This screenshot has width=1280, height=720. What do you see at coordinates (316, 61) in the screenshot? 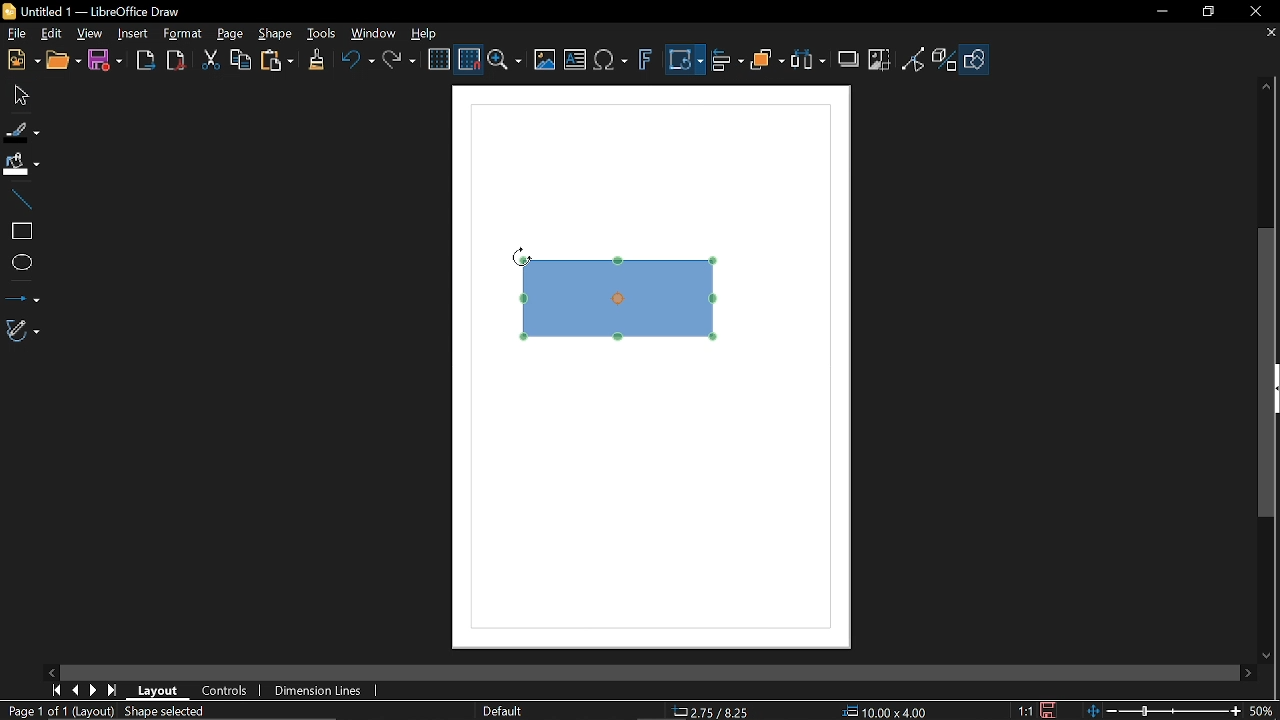
I see `Clone` at bounding box center [316, 61].